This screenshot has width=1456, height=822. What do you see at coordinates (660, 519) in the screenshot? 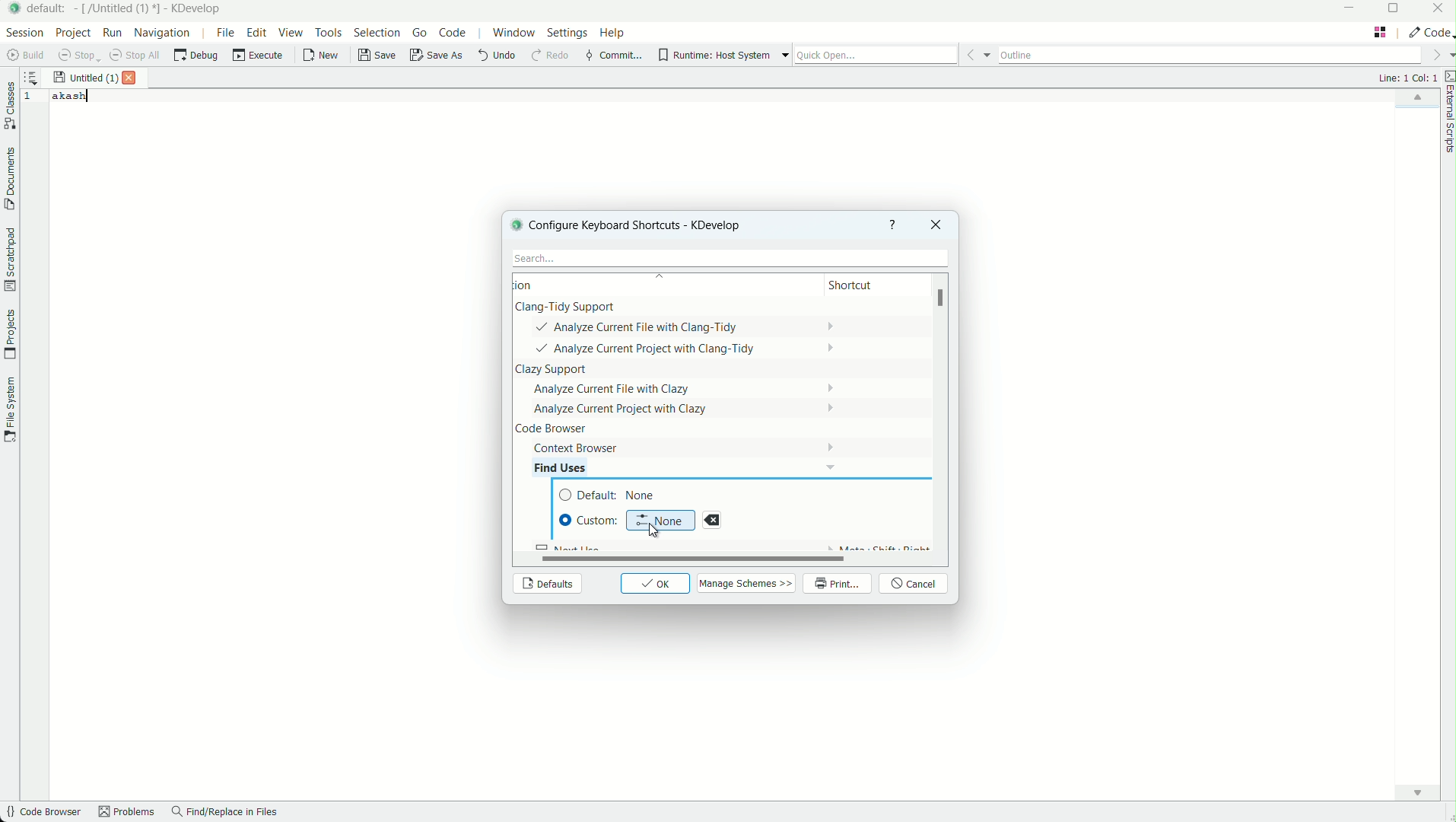
I see `none` at bounding box center [660, 519].